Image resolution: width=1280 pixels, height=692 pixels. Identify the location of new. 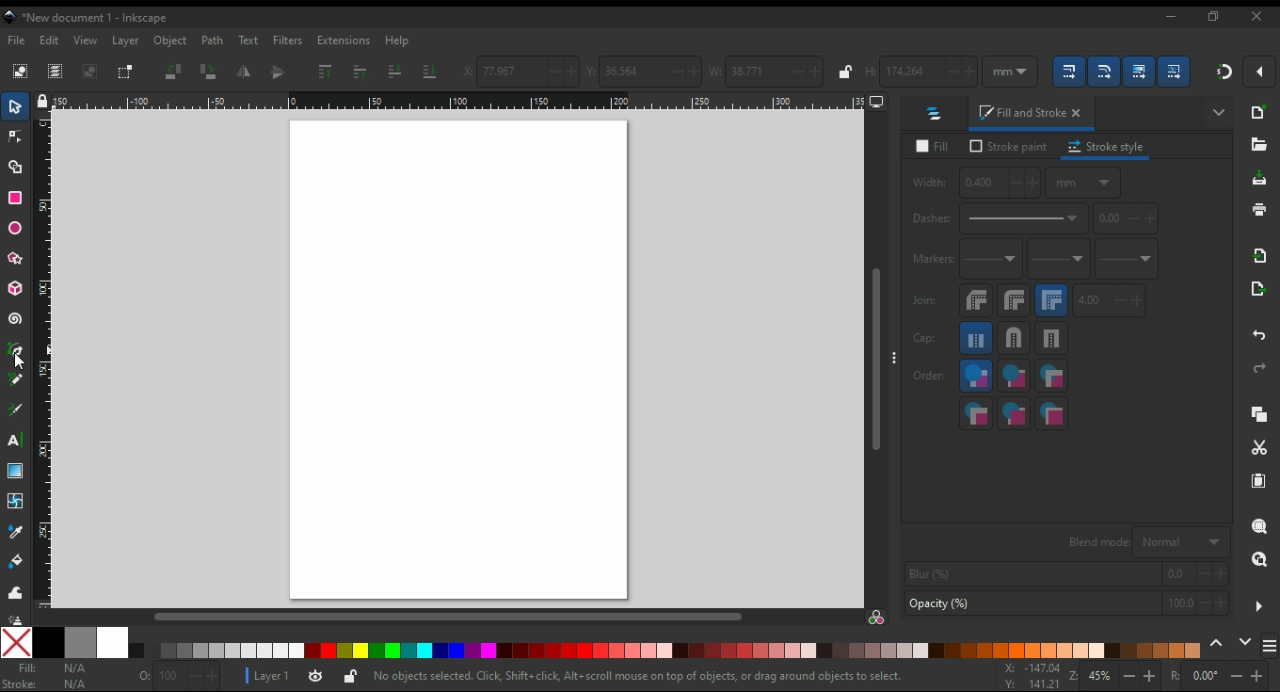
(1263, 111).